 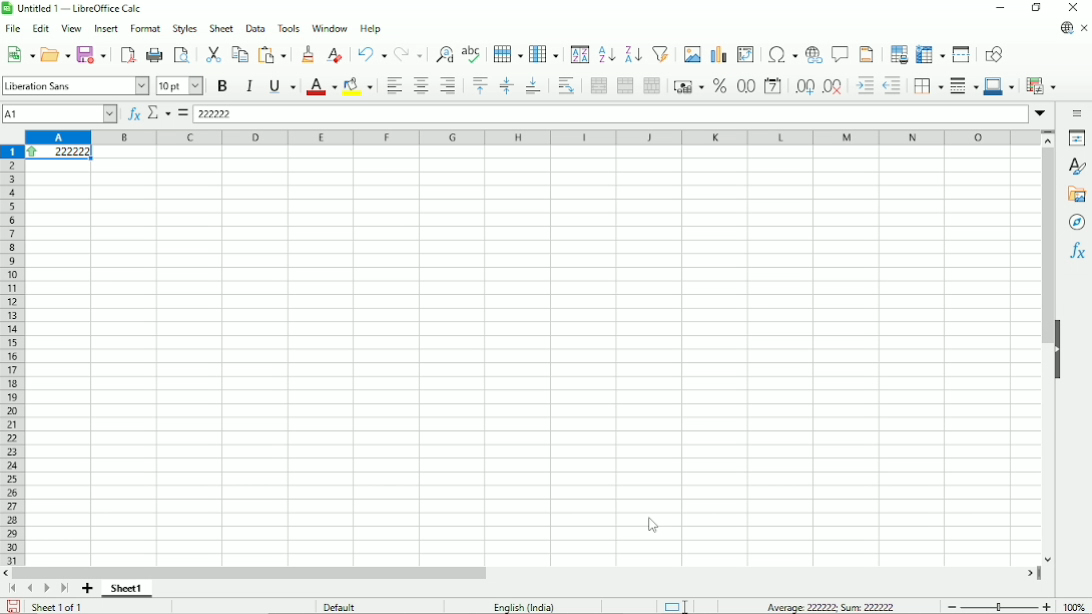 What do you see at coordinates (606, 54) in the screenshot?
I see `Sort ascending` at bounding box center [606, 54].